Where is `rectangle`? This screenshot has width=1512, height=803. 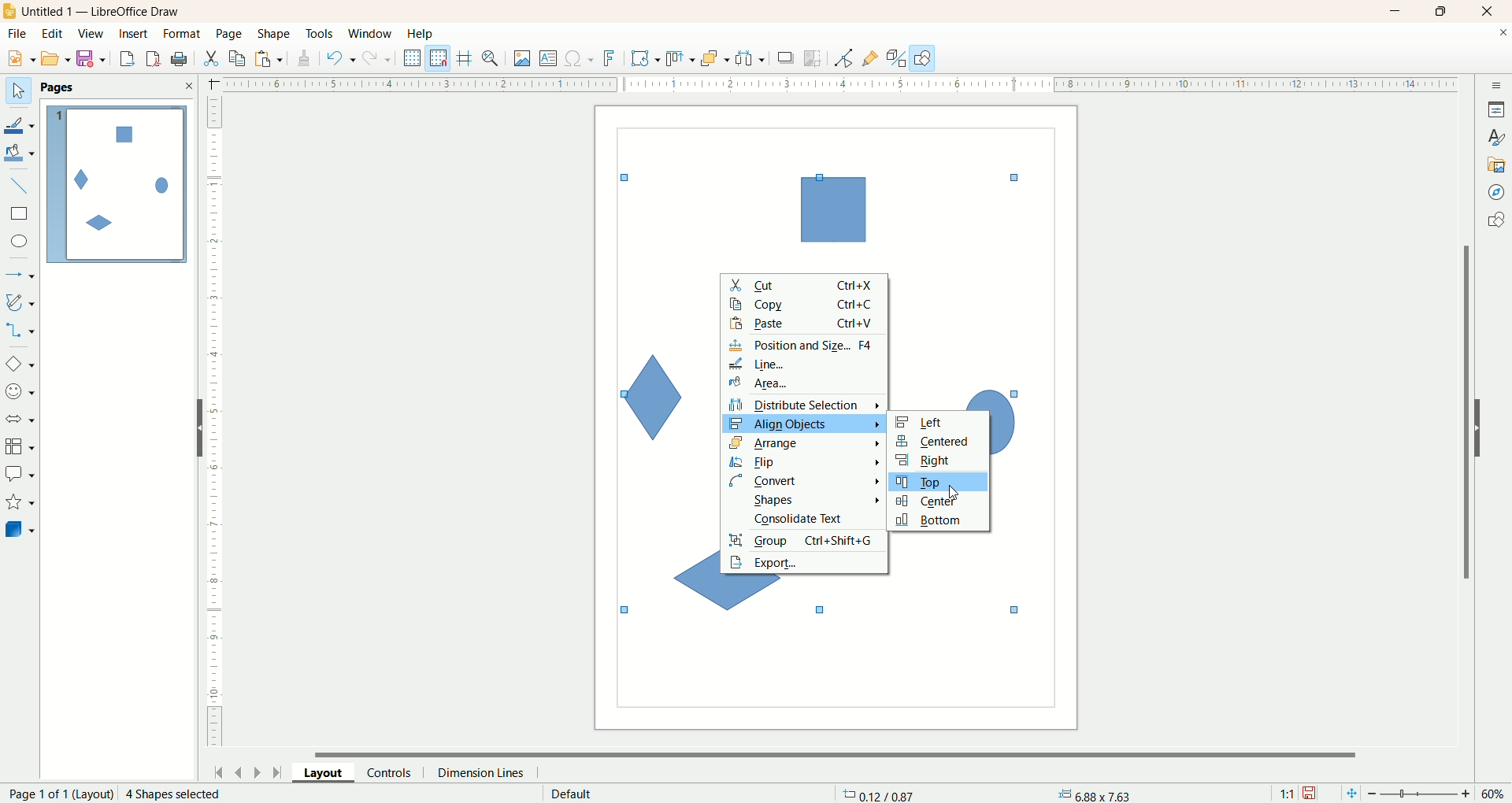
rectangle is located at coordinates (21, 214).